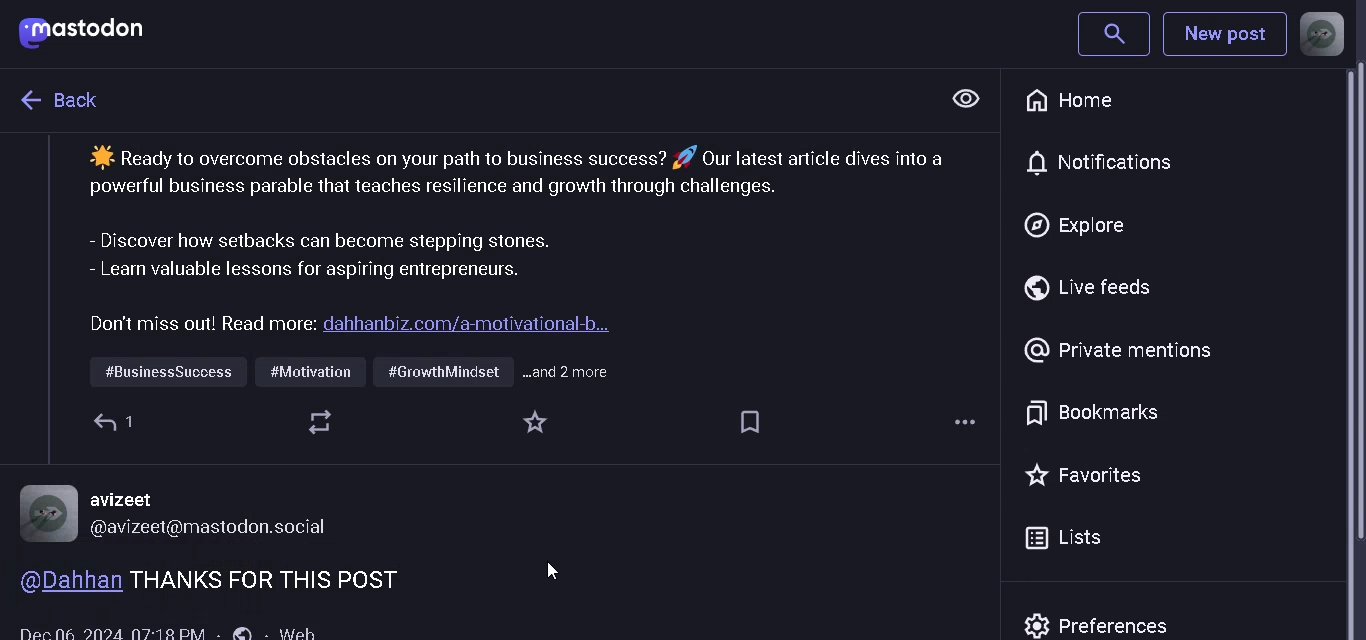 The image size is (1366, 640). What do you see at coordinates (1104, 622) in the screenshot?
I see `prefrences` at bounding box center [1104, 622].